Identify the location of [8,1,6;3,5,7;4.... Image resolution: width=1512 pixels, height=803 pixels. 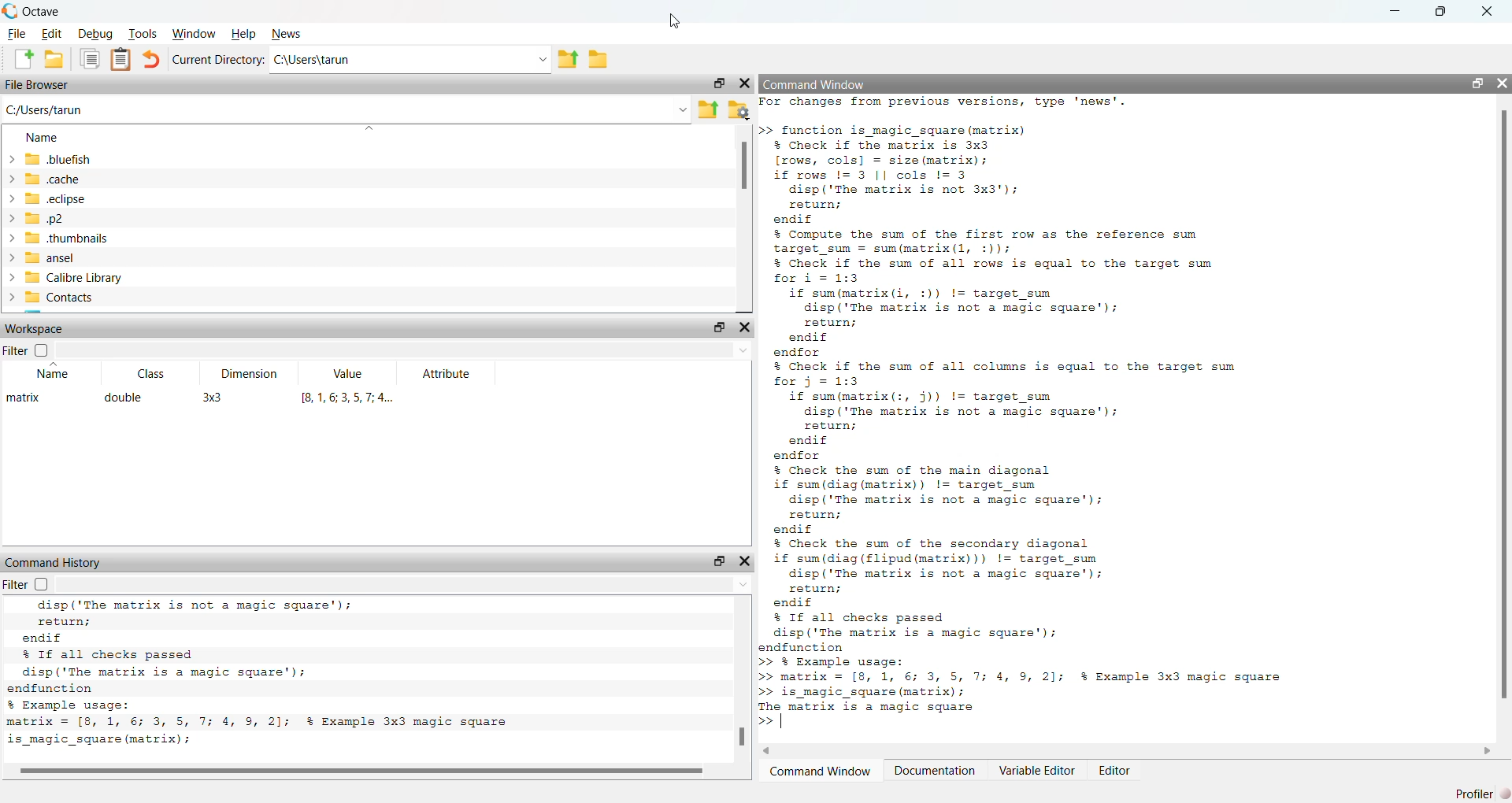
(350, 398).